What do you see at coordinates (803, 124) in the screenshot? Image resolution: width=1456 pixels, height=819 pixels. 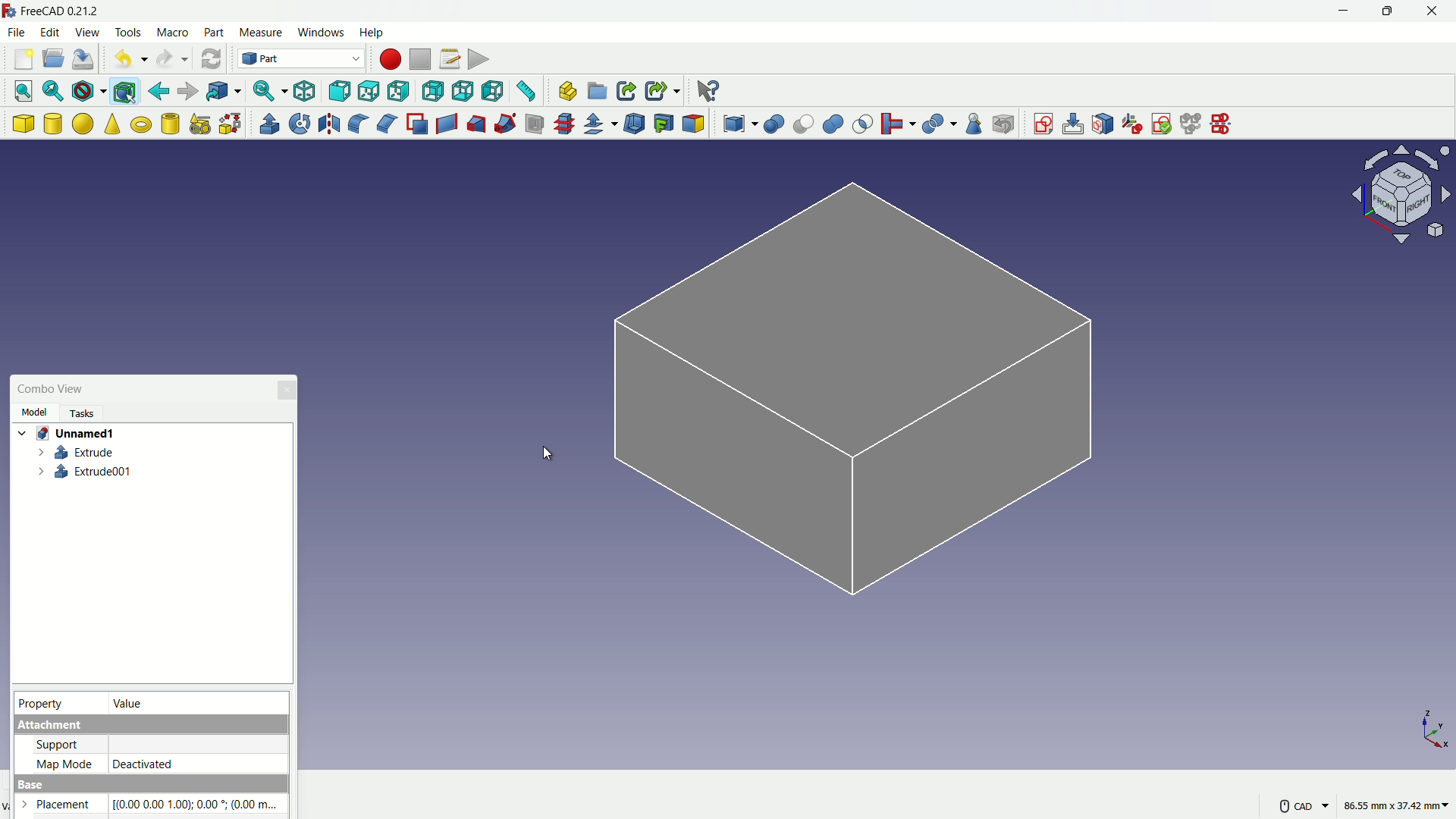 I see `cut` at bounding box center [803, 124].